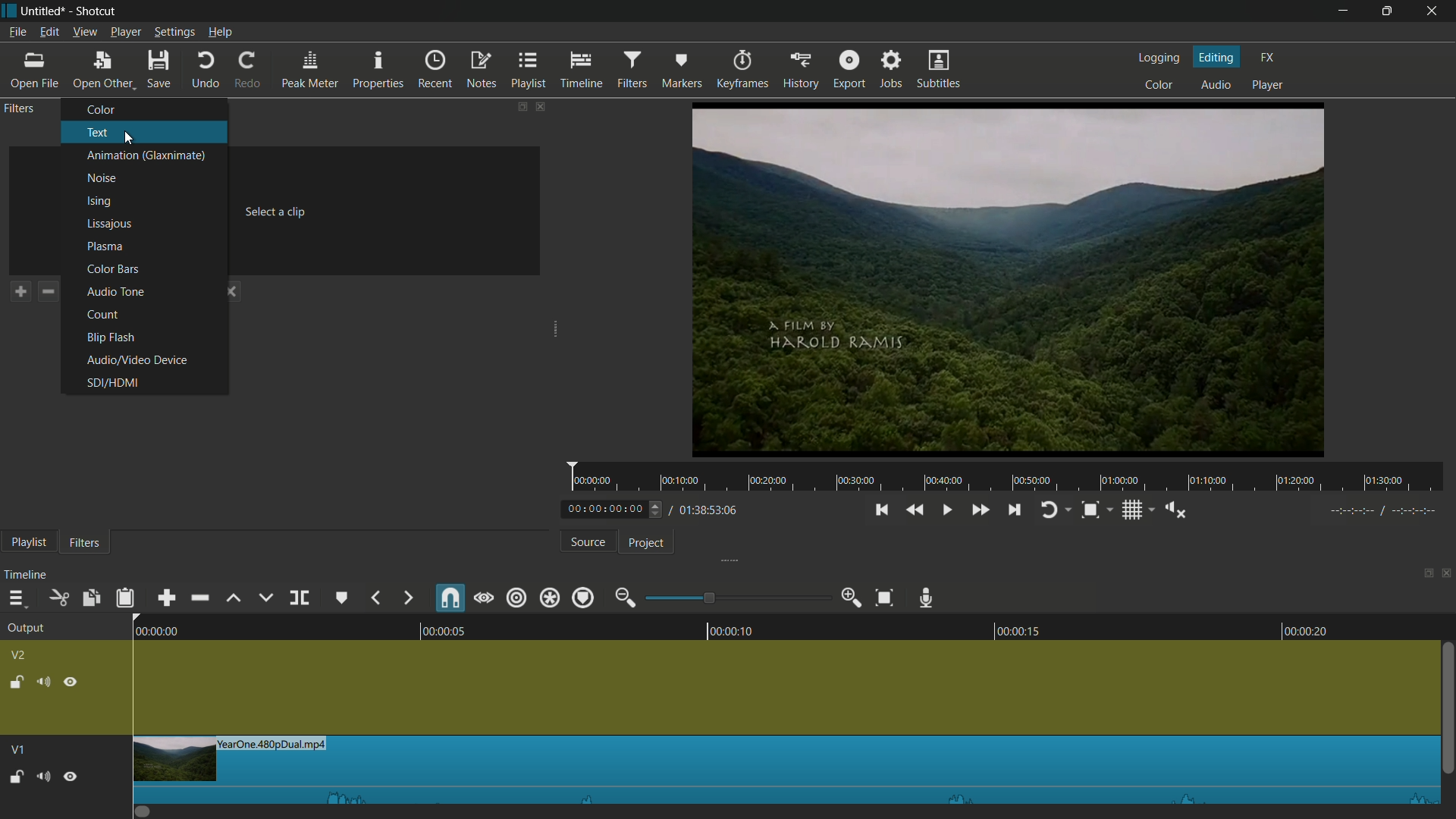 The image size is (1456, 819). What do you see at coordinates (518, 598) in the screenshot?
I see `ripple` at bounding box center [518, 598].